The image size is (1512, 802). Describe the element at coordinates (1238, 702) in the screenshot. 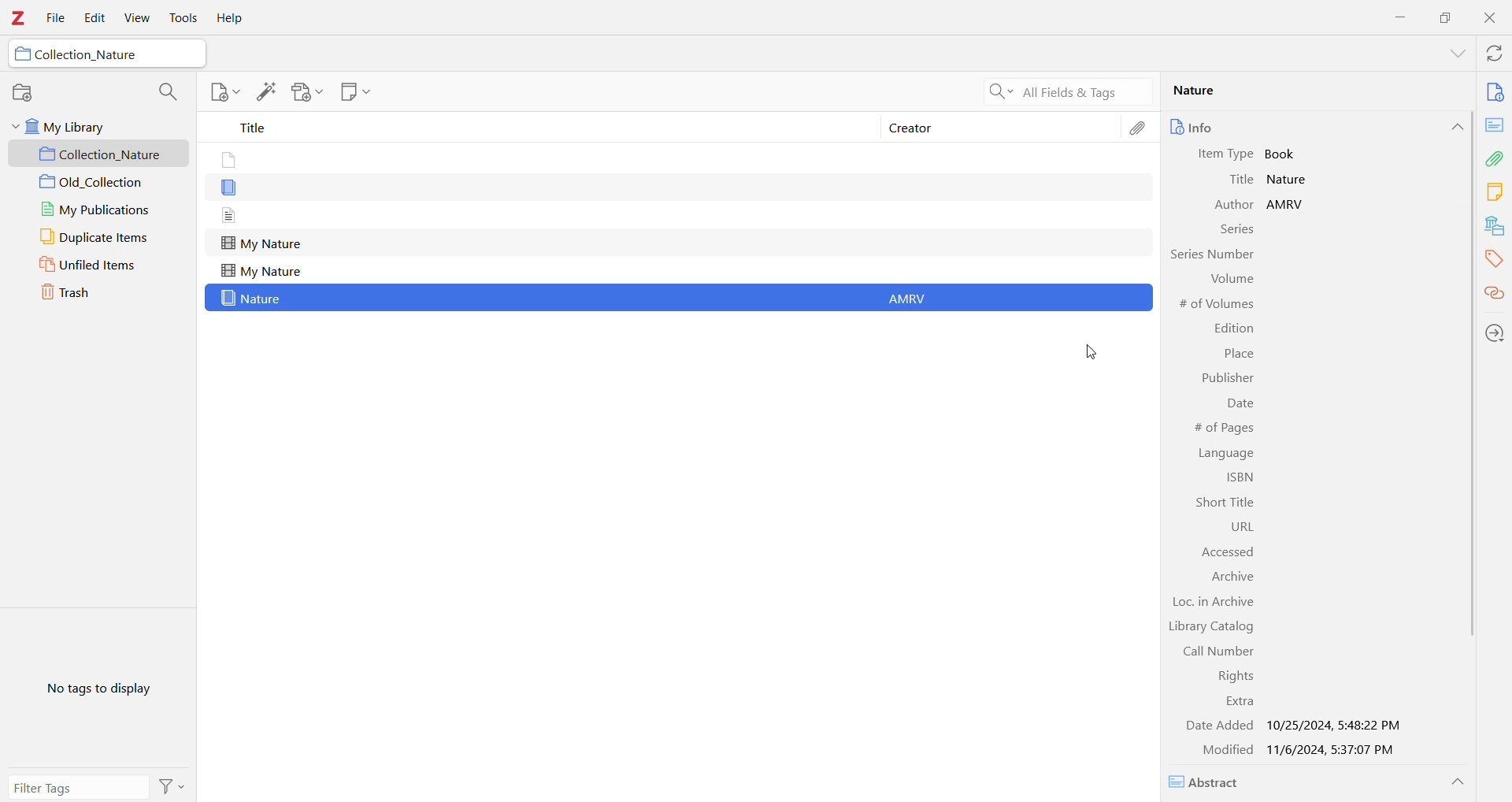

I see `Extra` at that location.